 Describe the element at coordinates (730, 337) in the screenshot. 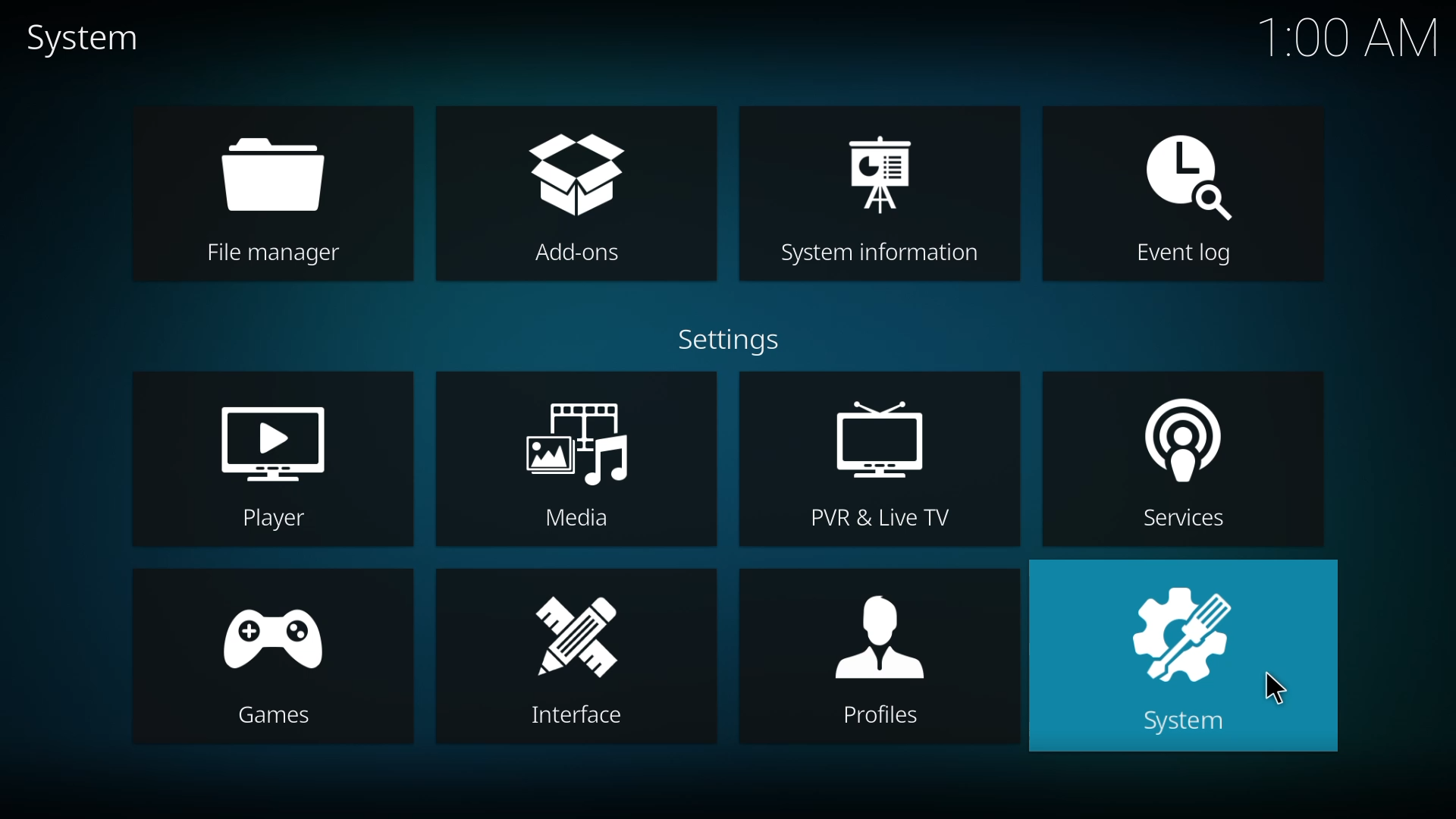

I see `settings` at that location.